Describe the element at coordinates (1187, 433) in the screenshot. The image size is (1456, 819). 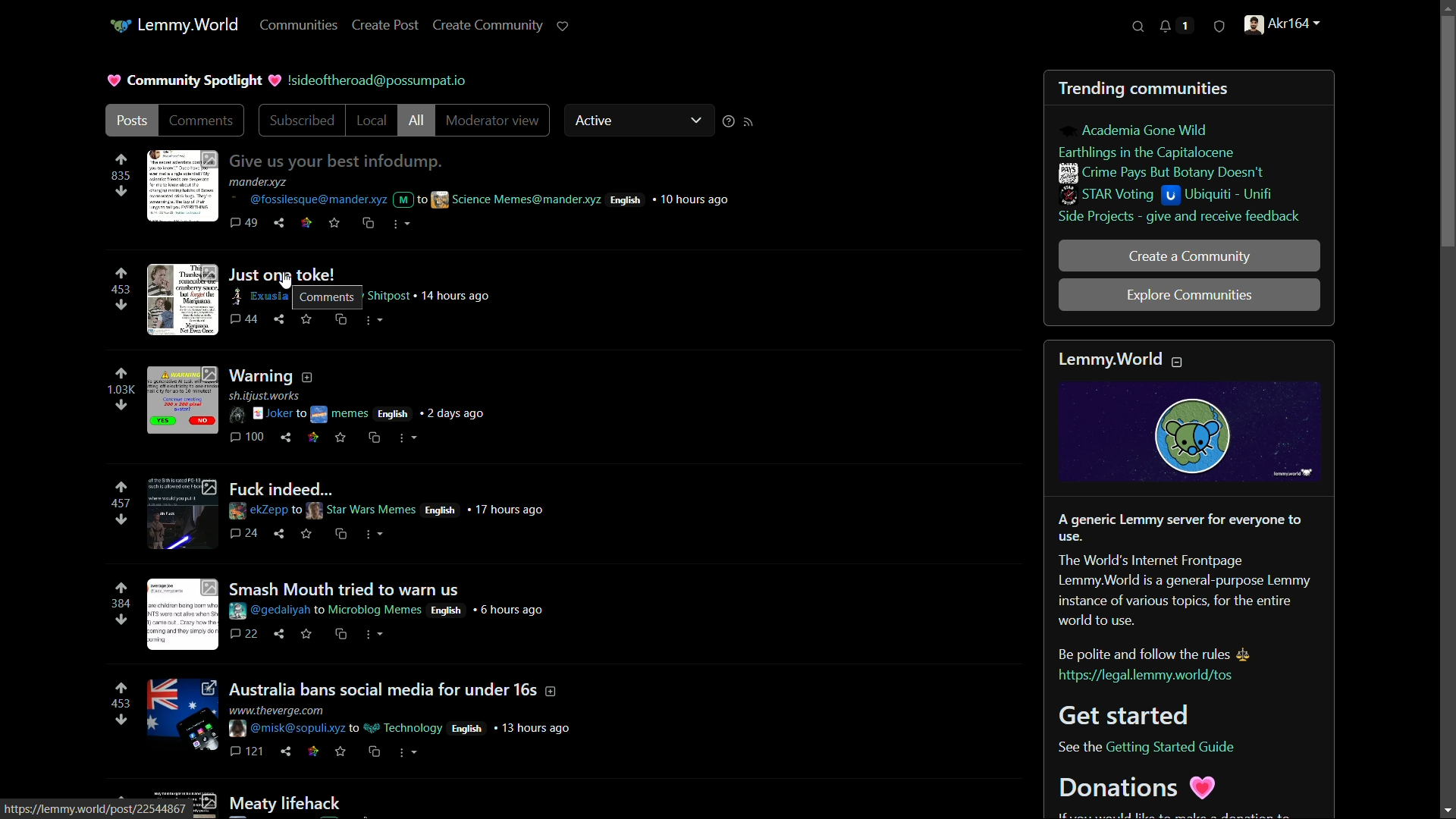
I see `logo` at that location.